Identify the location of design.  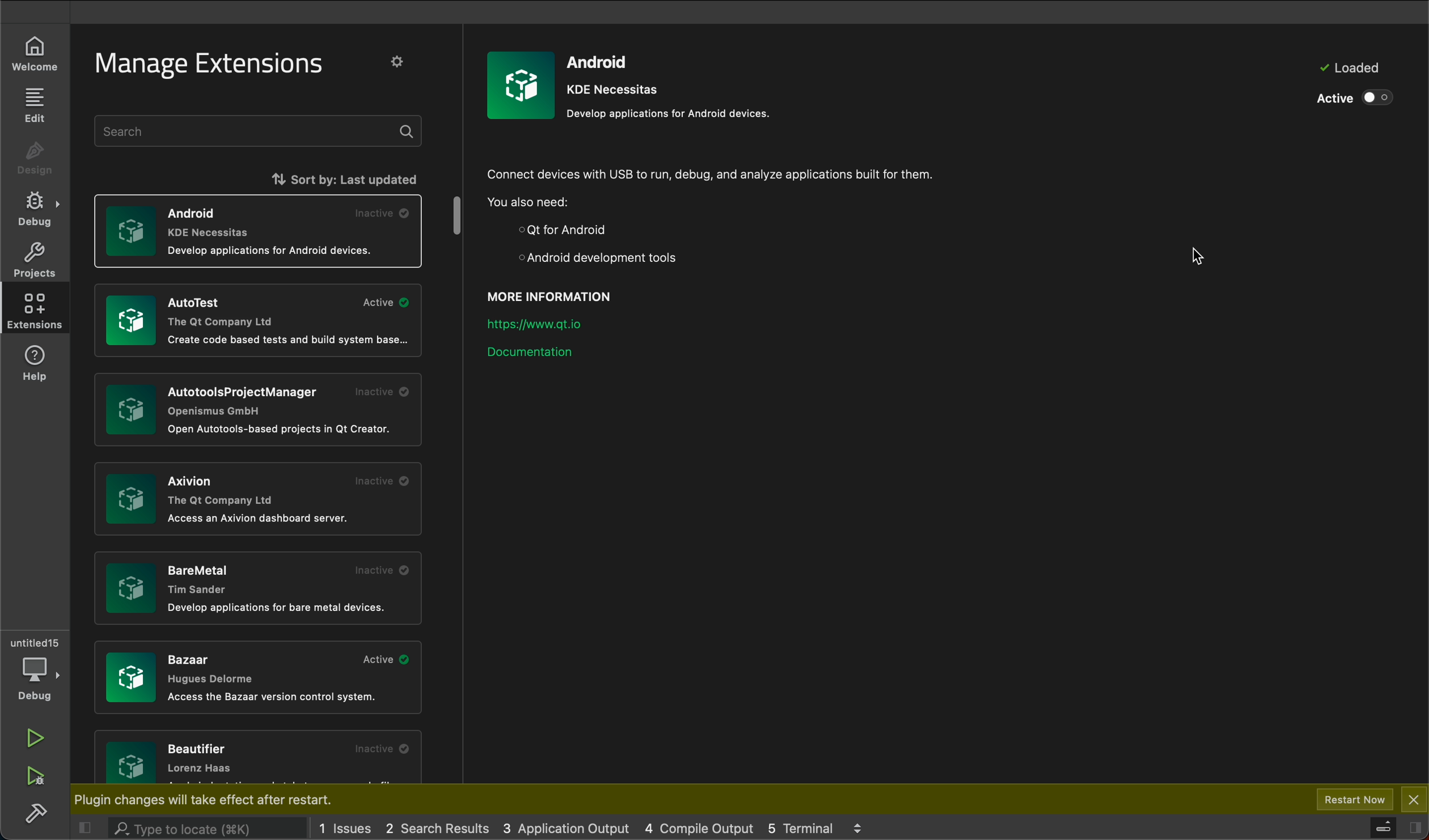
(33, 160).